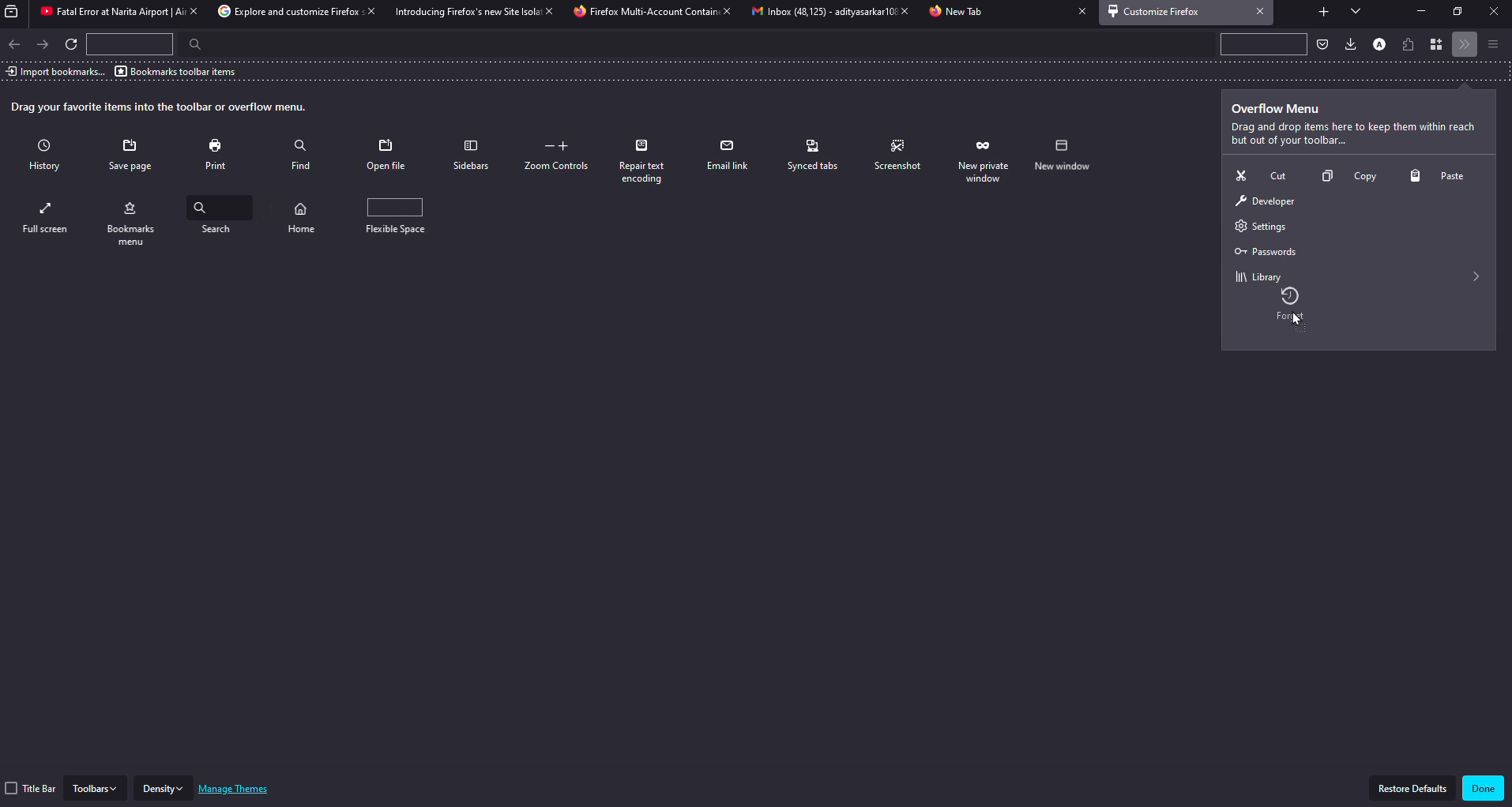 Image resolution: width=1512 pixels, height=807 pixels. Describe the element at coordinates (959, 13) in the screenshot. I see `tab` at that location.